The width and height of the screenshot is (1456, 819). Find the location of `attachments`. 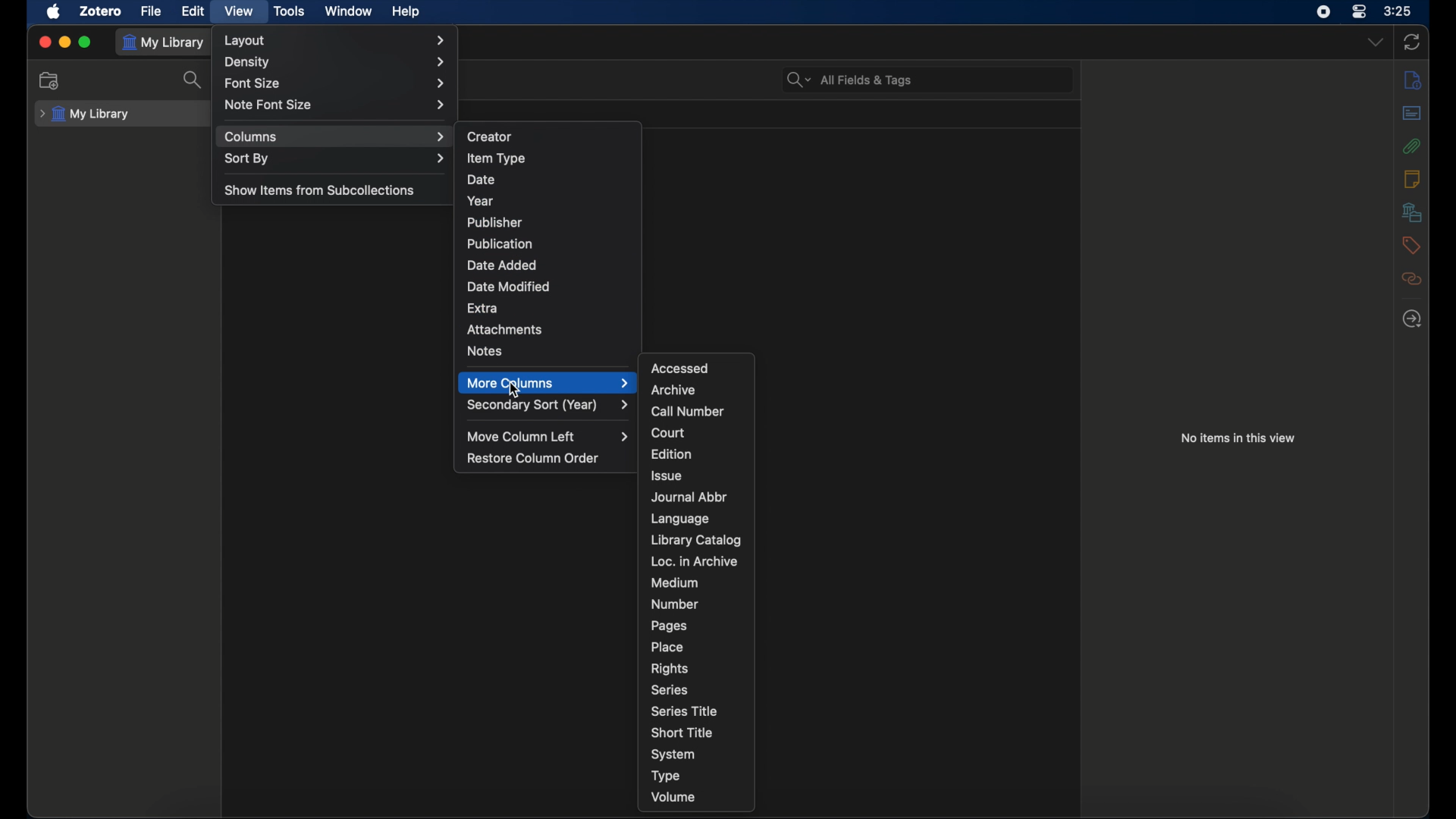

attachments is located at coordinates (505, 329).